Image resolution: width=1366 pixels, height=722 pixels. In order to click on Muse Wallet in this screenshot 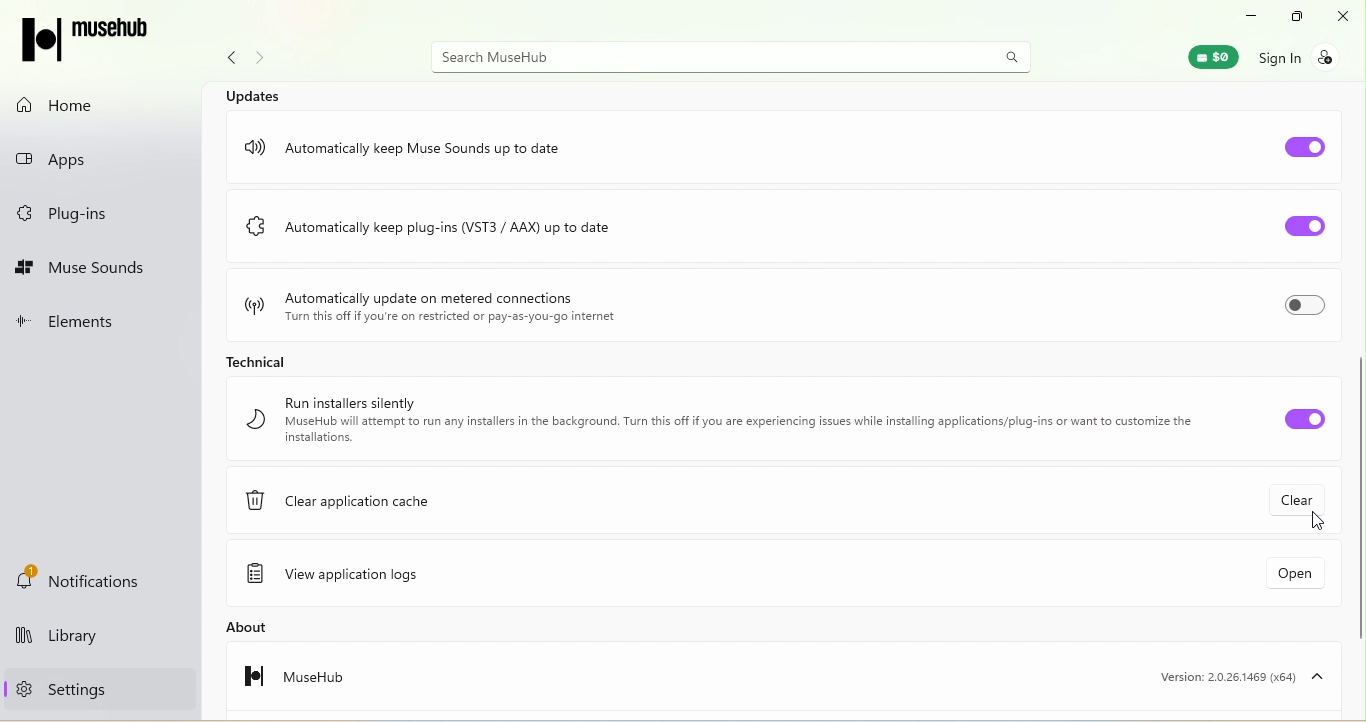, I will do `click(1203, 56)`.